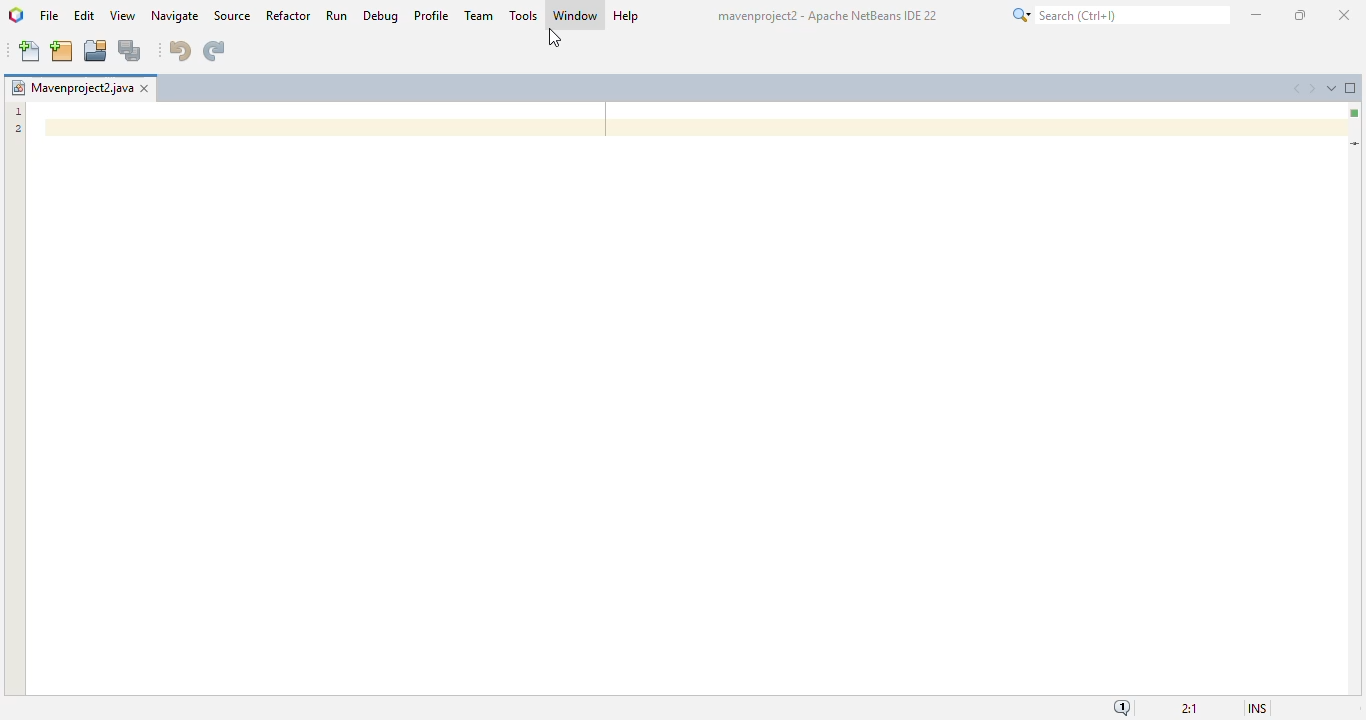 The width and height of the screenshot is (1366, 720). What do you see at coordinates (1355, 144) in the screenshot?
I see `current line` at bounding box center [1355, 144].